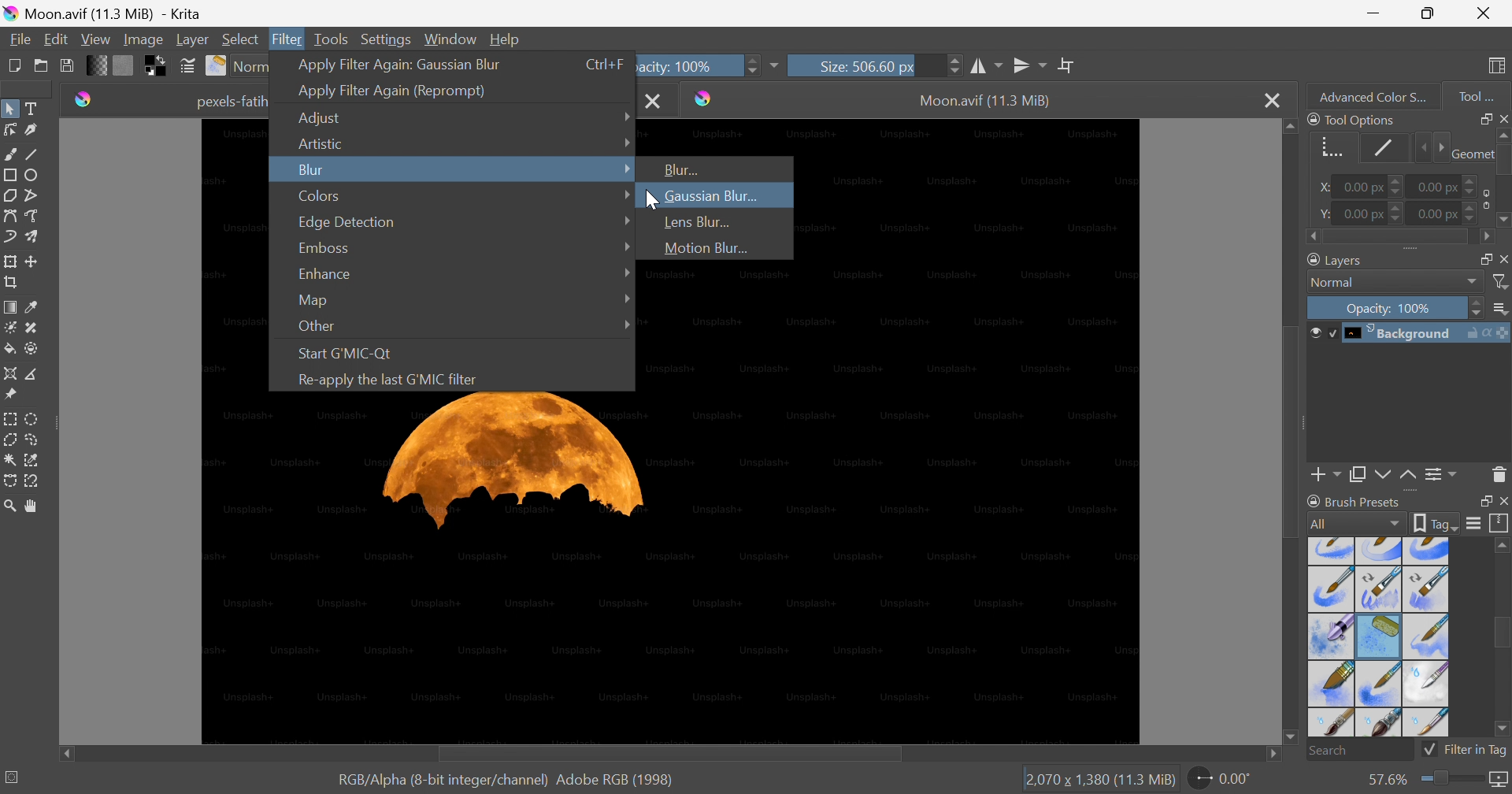 This screenshot has height=794, width=1512. What do you see at coordinates (605, 61) in the screenshot?
I see `Ctrl+F` at bounding box center [605, 61].